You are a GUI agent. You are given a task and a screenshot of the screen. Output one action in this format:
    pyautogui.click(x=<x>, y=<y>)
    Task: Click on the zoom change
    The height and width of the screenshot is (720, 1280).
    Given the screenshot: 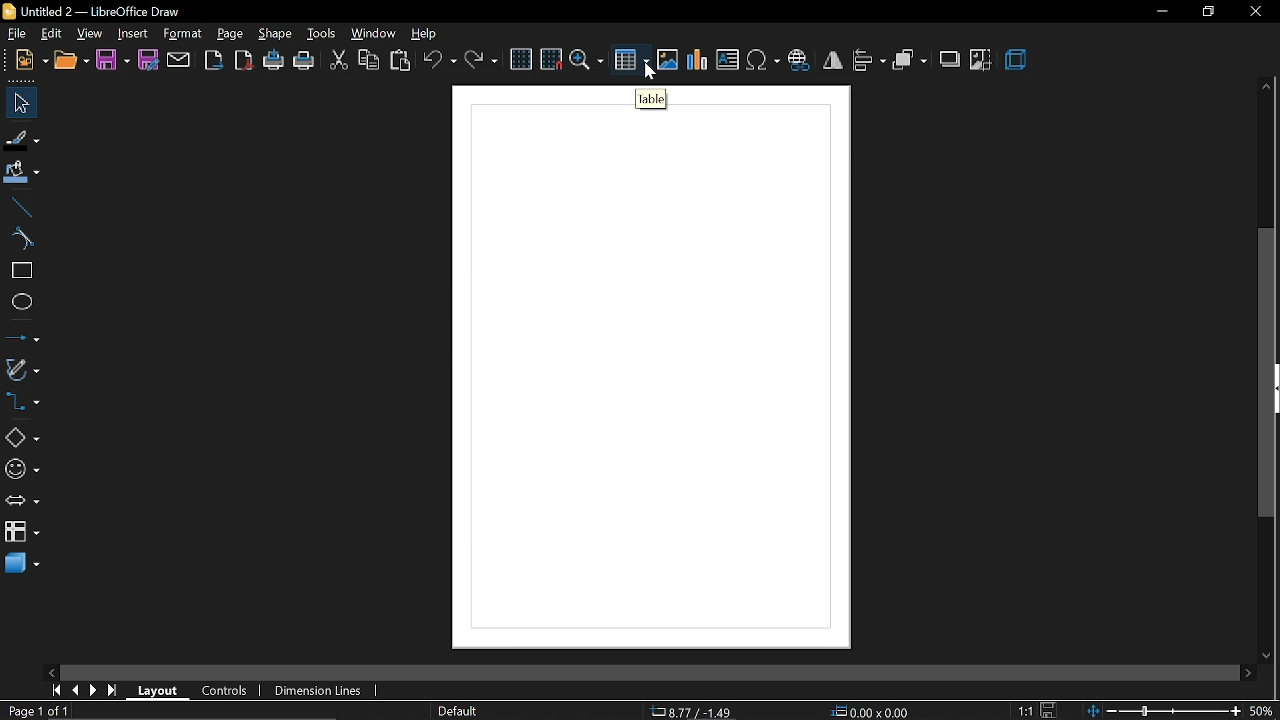 What is the action you would take?
    pyautogui.click(x=1162, y=712)
    